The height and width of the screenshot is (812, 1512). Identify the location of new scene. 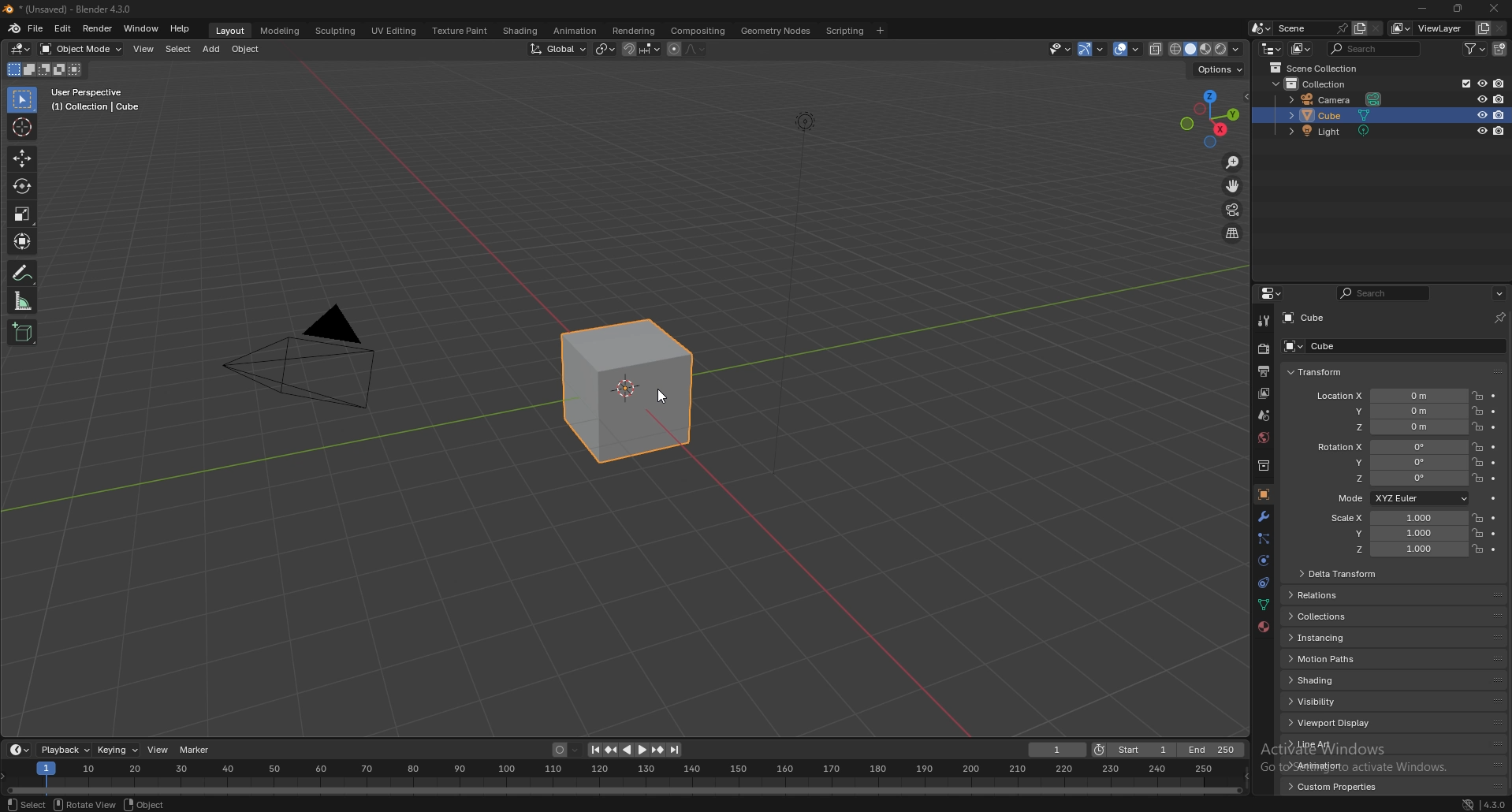
(1360, 28).